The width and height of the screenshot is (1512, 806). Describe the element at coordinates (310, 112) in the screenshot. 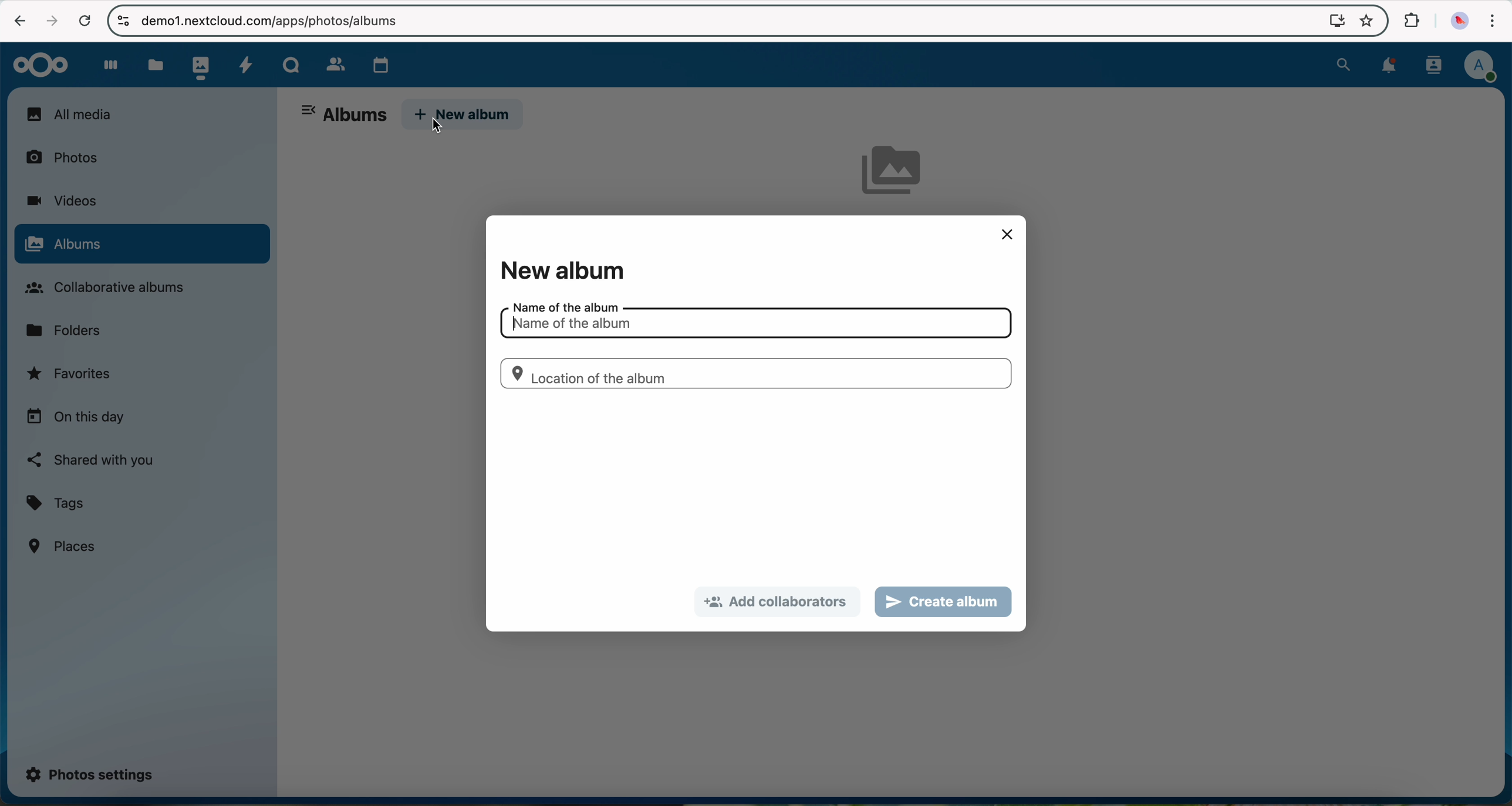

I see `hide sidebar` at that location.